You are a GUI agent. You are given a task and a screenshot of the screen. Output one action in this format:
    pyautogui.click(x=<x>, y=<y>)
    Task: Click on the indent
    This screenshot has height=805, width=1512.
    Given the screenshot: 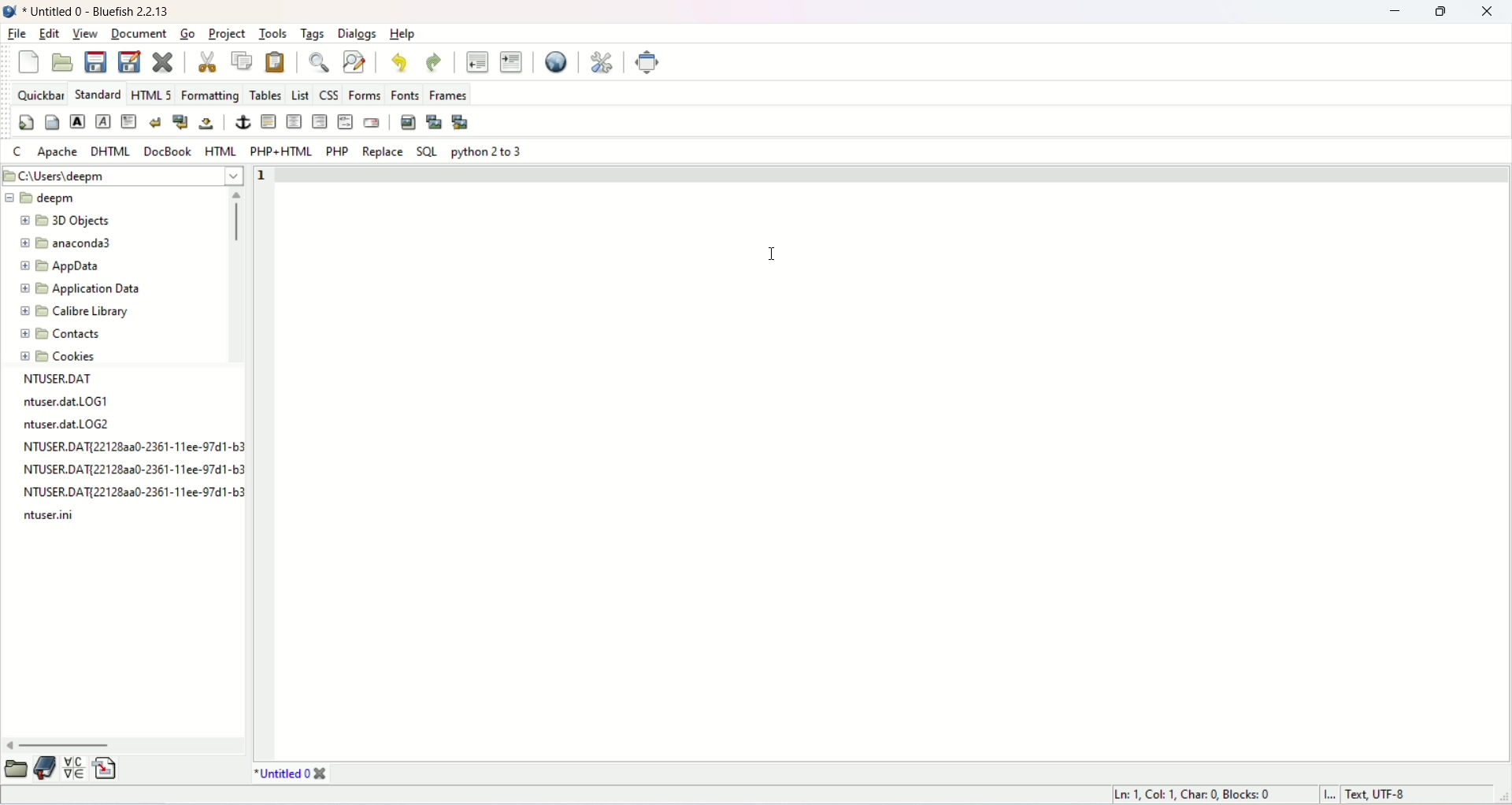 What is the action you would take?
    pyautogui.click(x=512, y=62)
    